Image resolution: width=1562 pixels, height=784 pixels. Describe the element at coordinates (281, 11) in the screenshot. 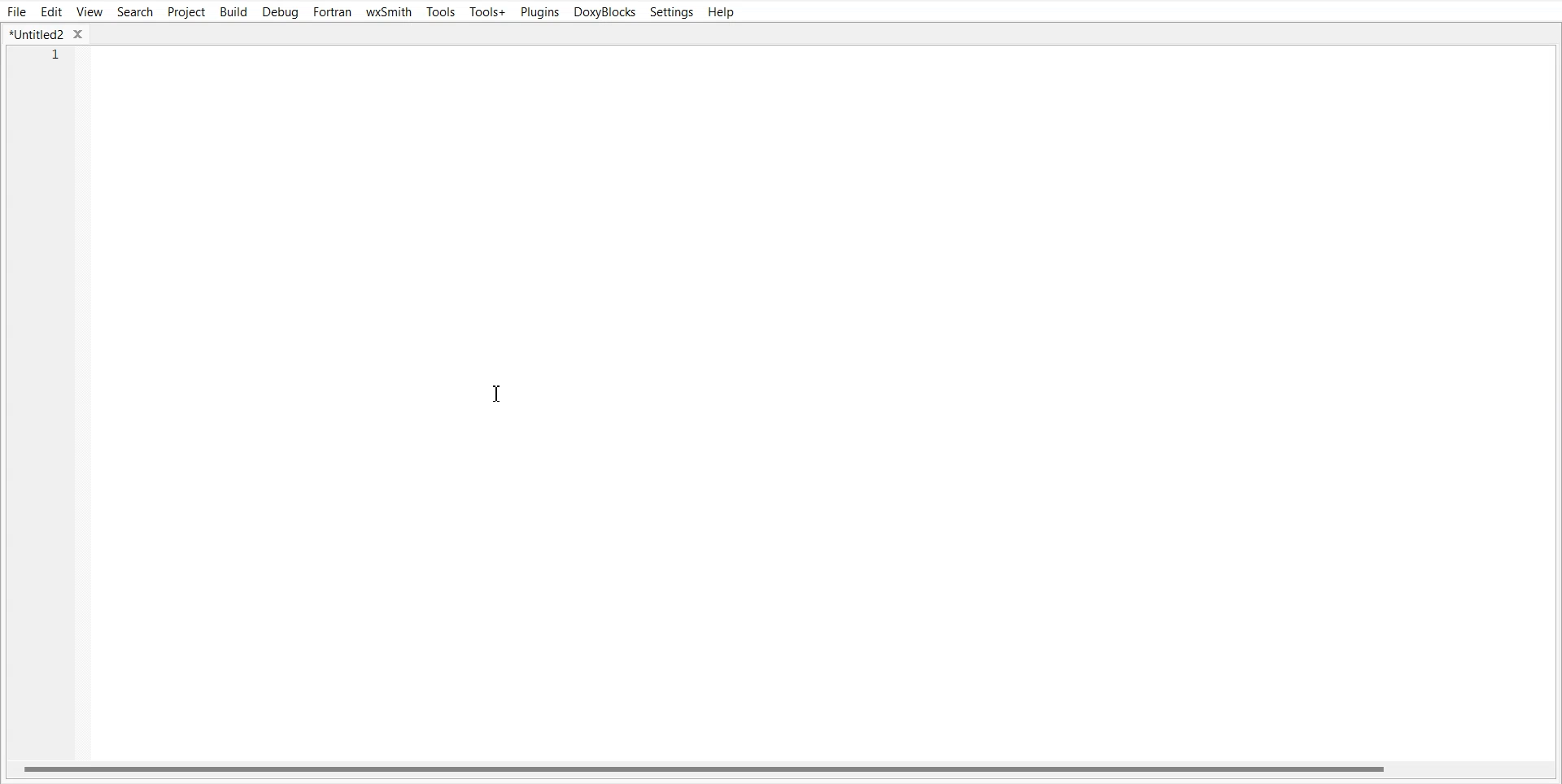

I see `Debug` at that location.